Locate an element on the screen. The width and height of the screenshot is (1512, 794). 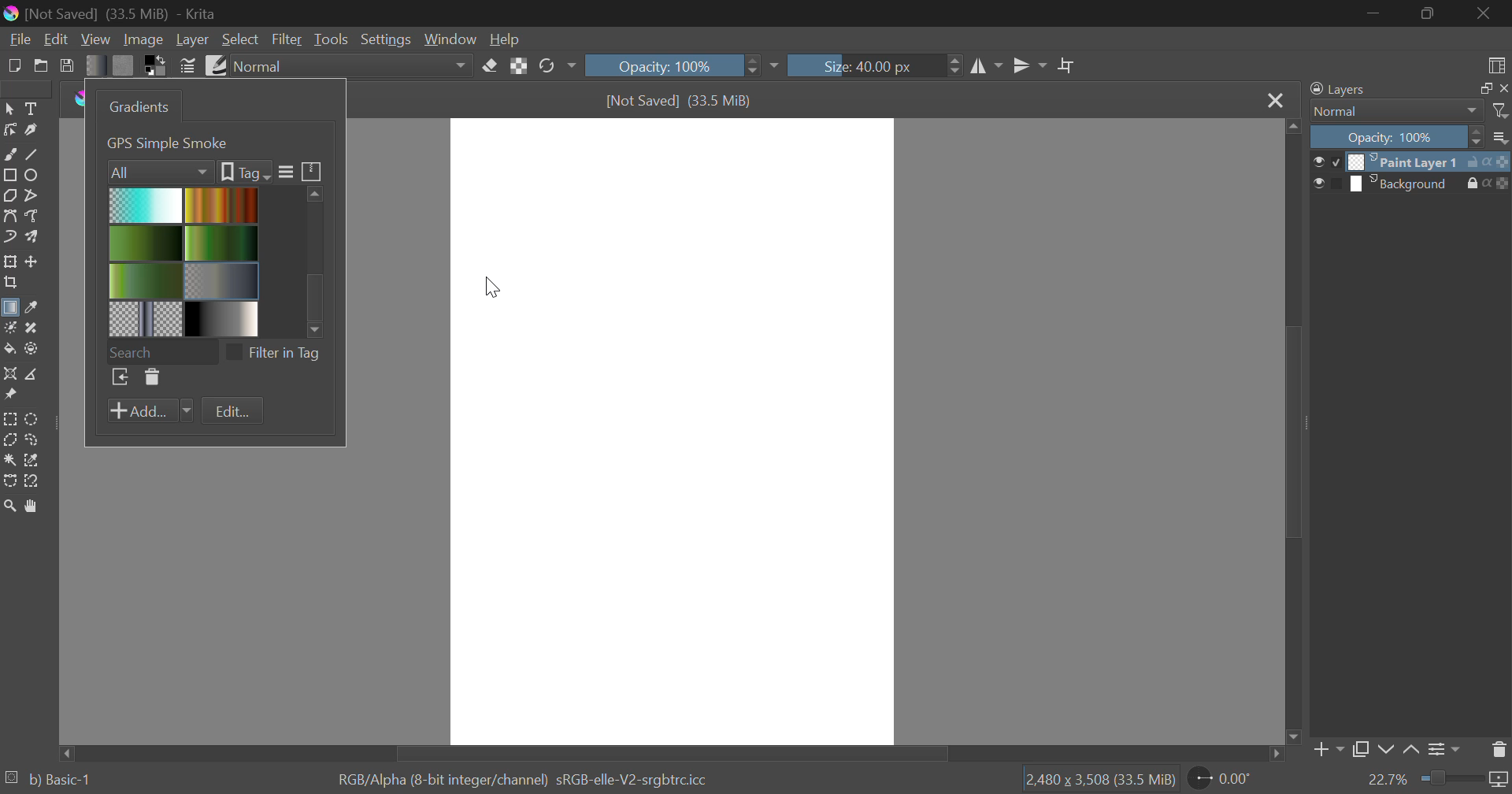
1. Foreground to Transparent is located at coordinates (202, 142).